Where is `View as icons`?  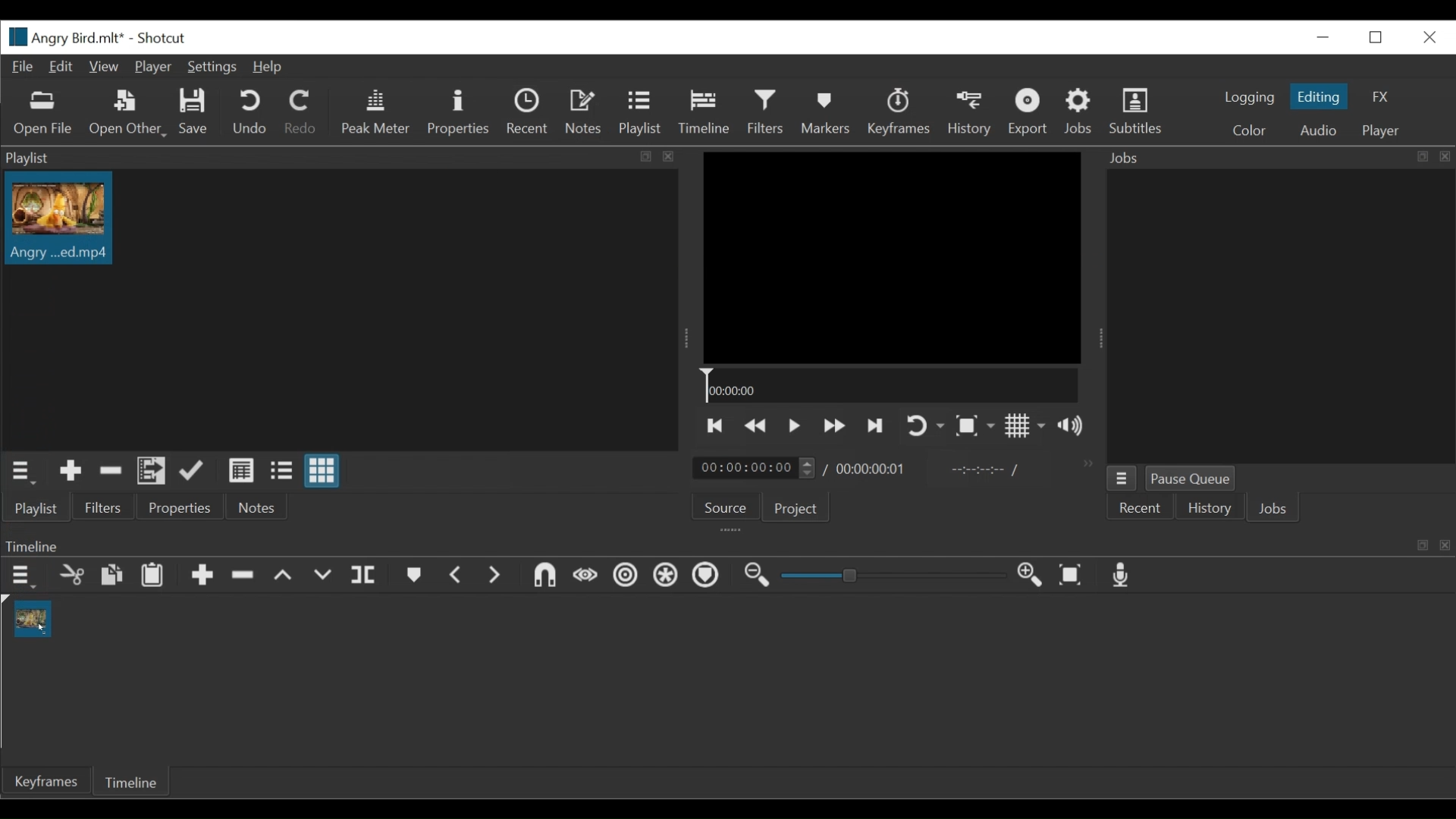
View as icons is located at coordinates (322, 470).